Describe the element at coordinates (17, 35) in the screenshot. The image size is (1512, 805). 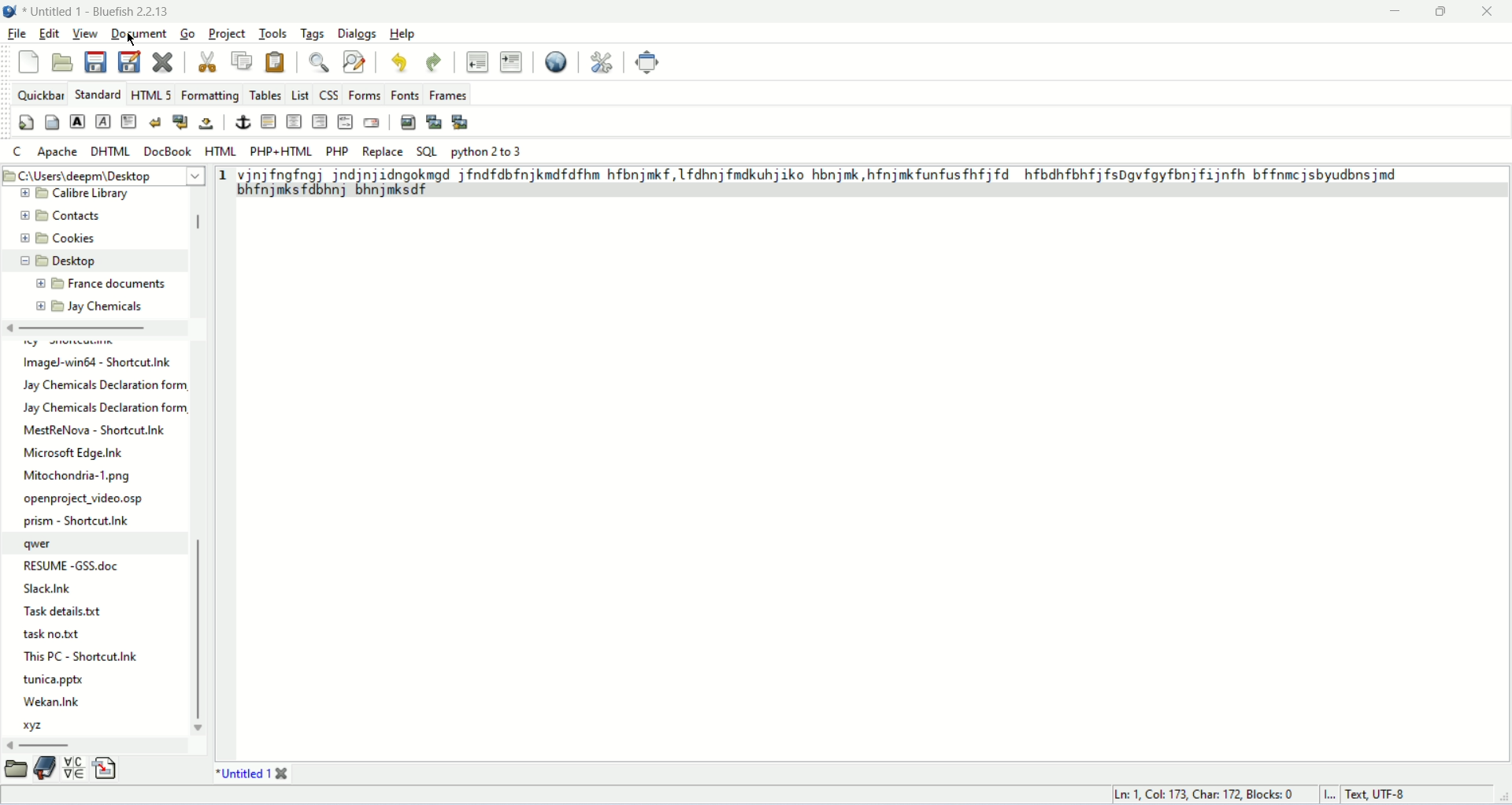
I see `file` at that location.